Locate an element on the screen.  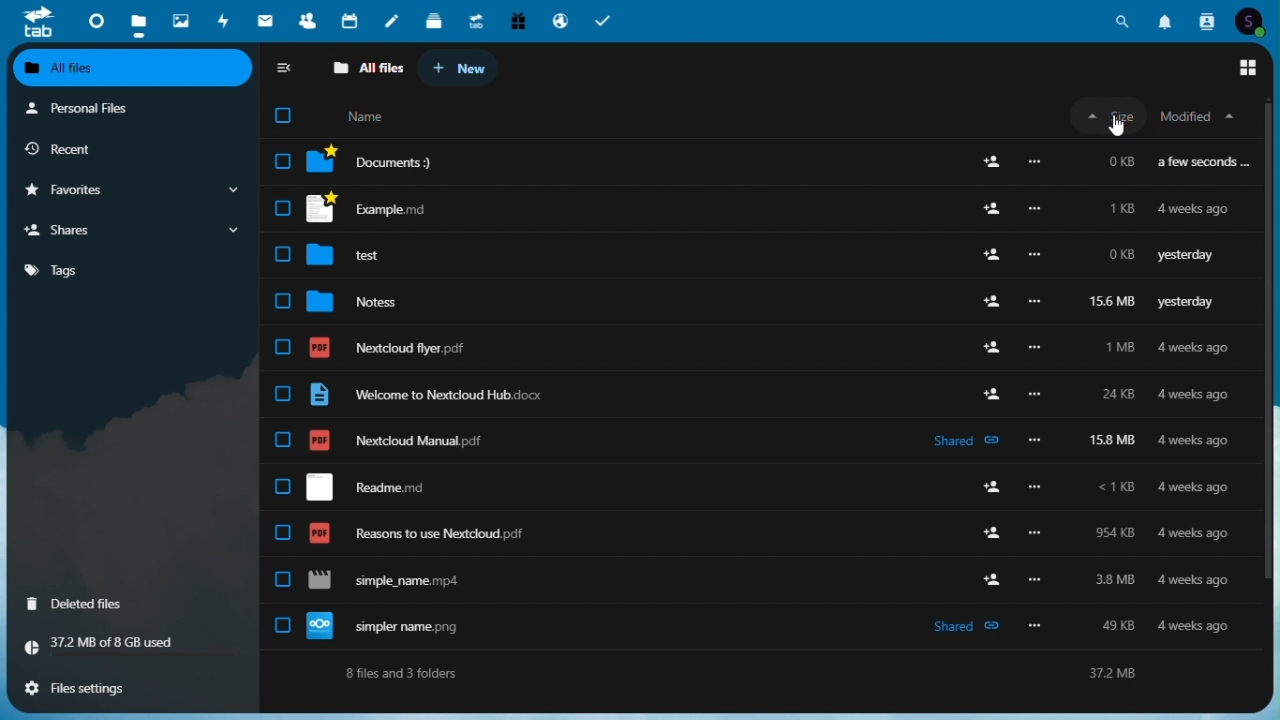
Reasons to use Nextcloud pdf is located at coordinates (755, 535).